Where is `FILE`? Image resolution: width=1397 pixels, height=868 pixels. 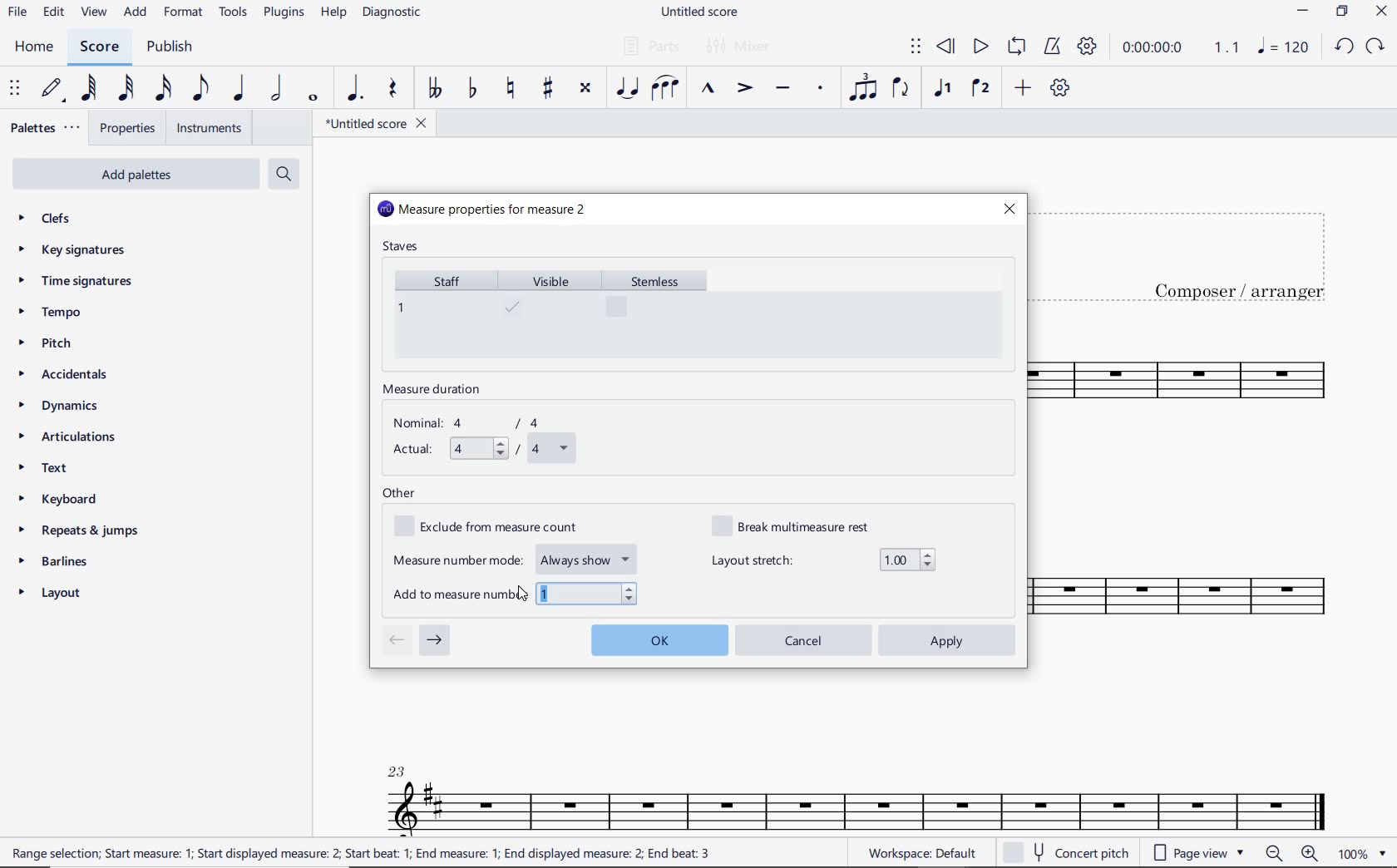
FILE is located at coordinates (17, 13).